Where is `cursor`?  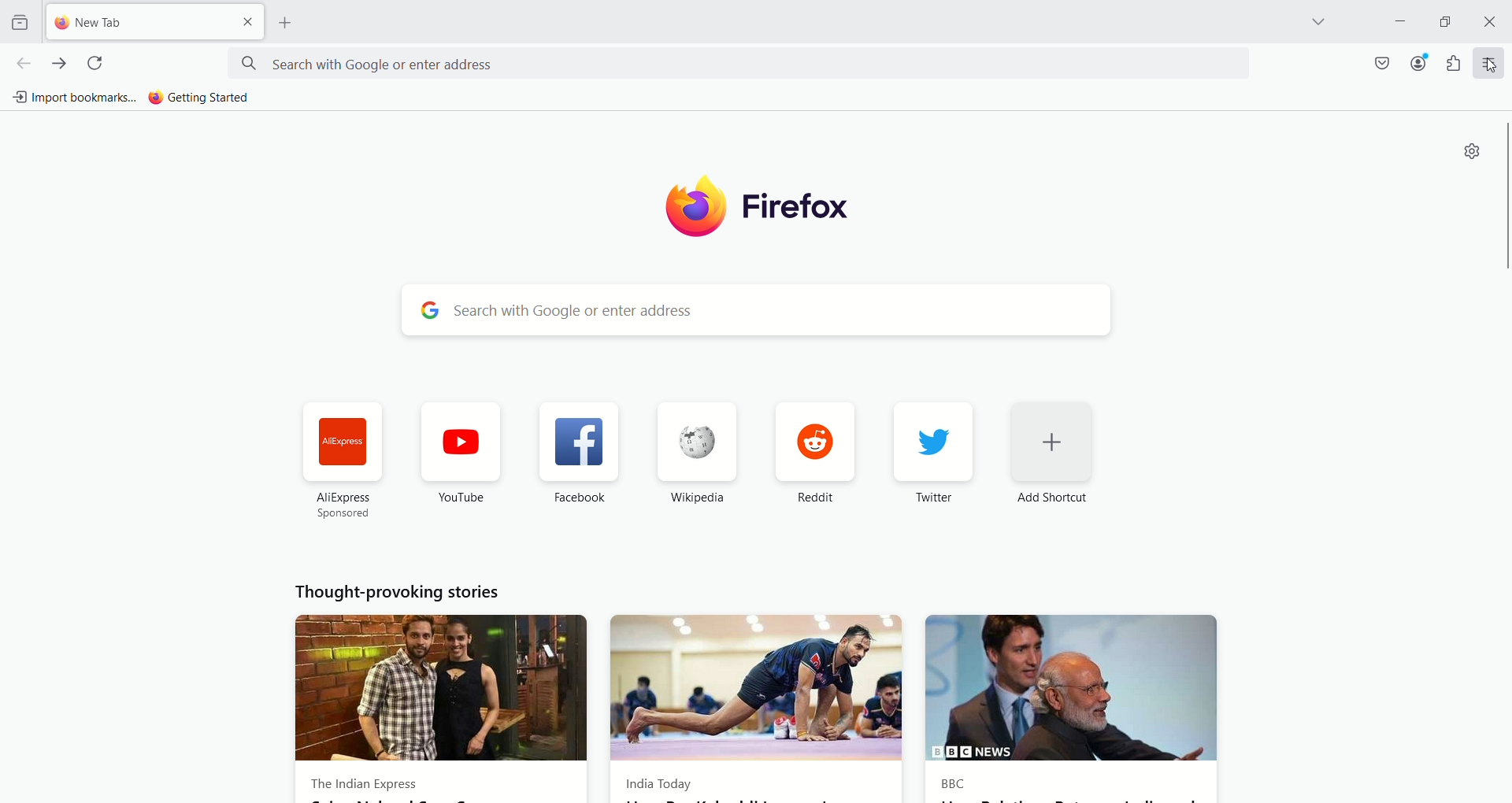 cursor is located at coordinates (1491, 63).